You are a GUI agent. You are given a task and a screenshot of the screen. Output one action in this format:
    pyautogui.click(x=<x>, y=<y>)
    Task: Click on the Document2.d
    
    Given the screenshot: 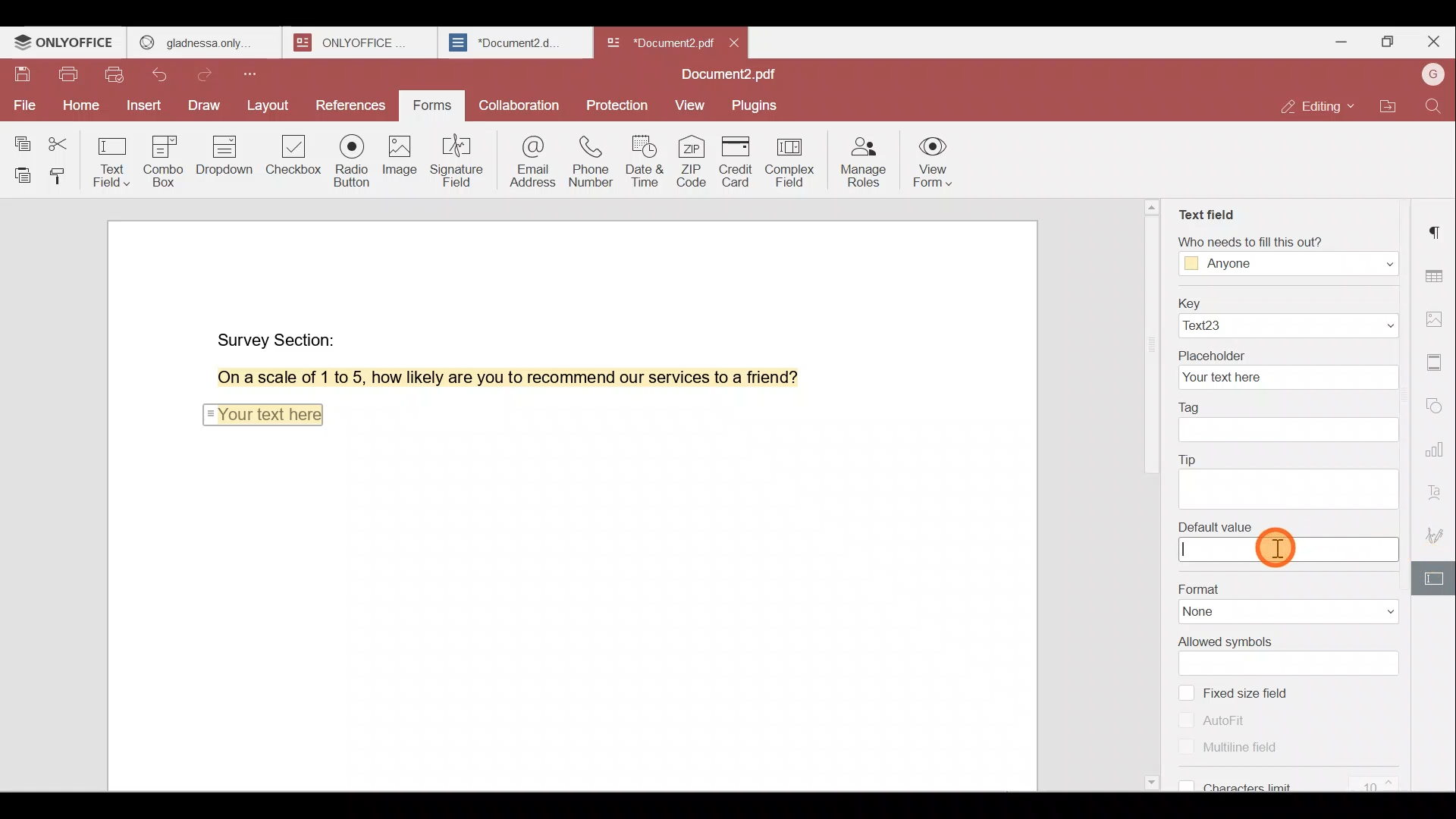 What is the action you would take?
    pyautogui.click(x=514, y=43)
    